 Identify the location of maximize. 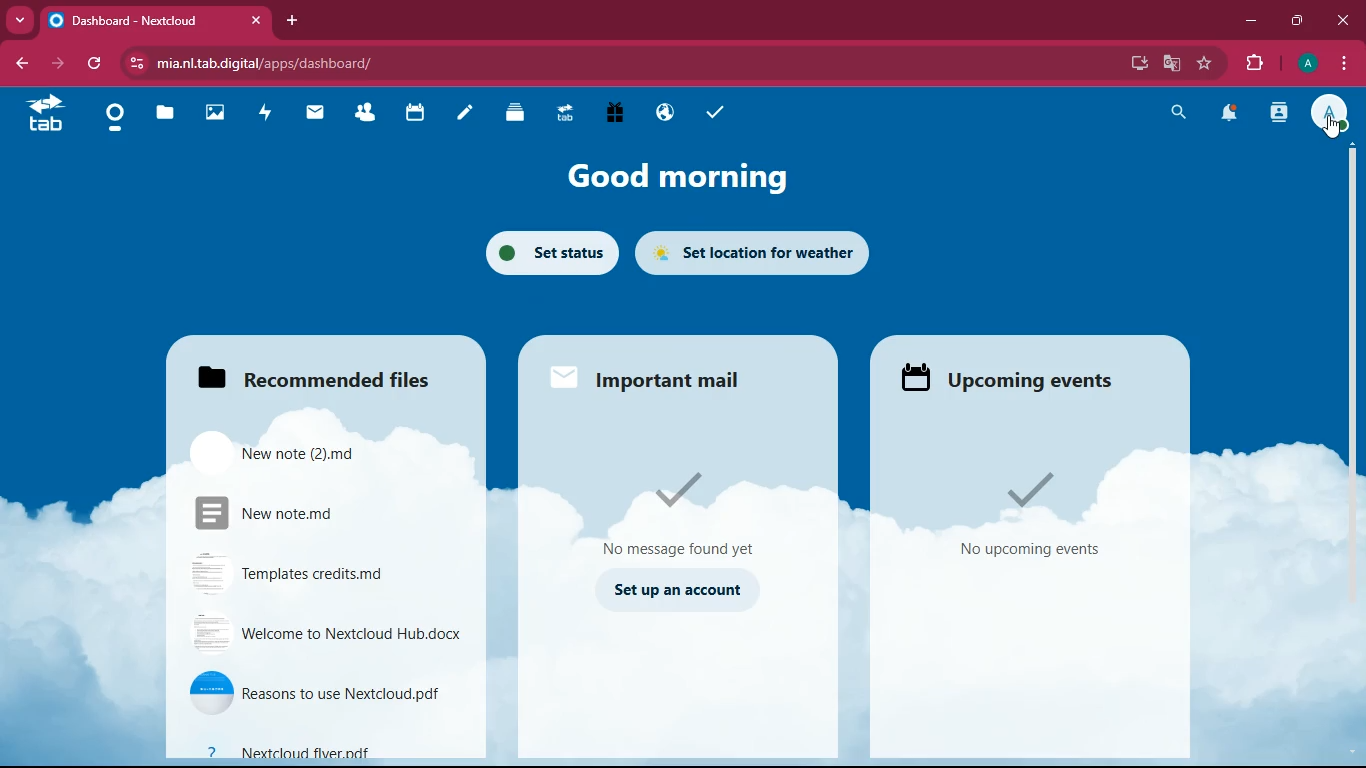
(1300, 19).